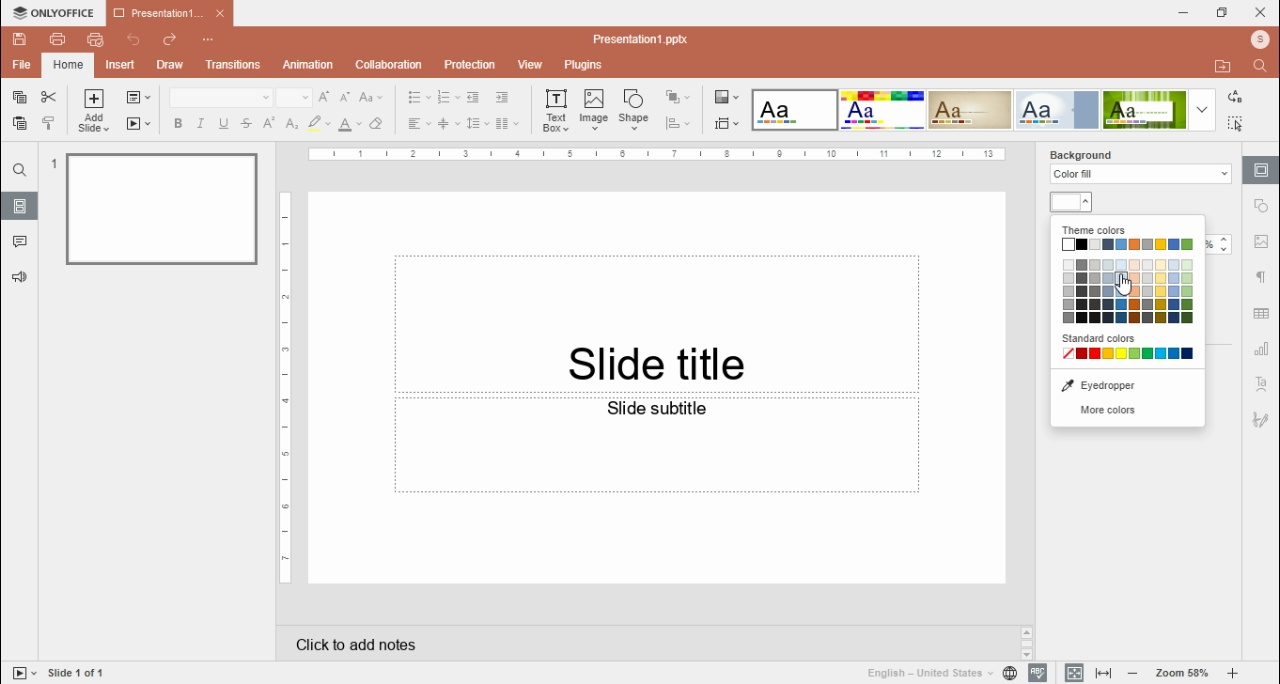  Describe the element at coordinates (676, 97) in the screenshot. I see `arrange shape` at that location.